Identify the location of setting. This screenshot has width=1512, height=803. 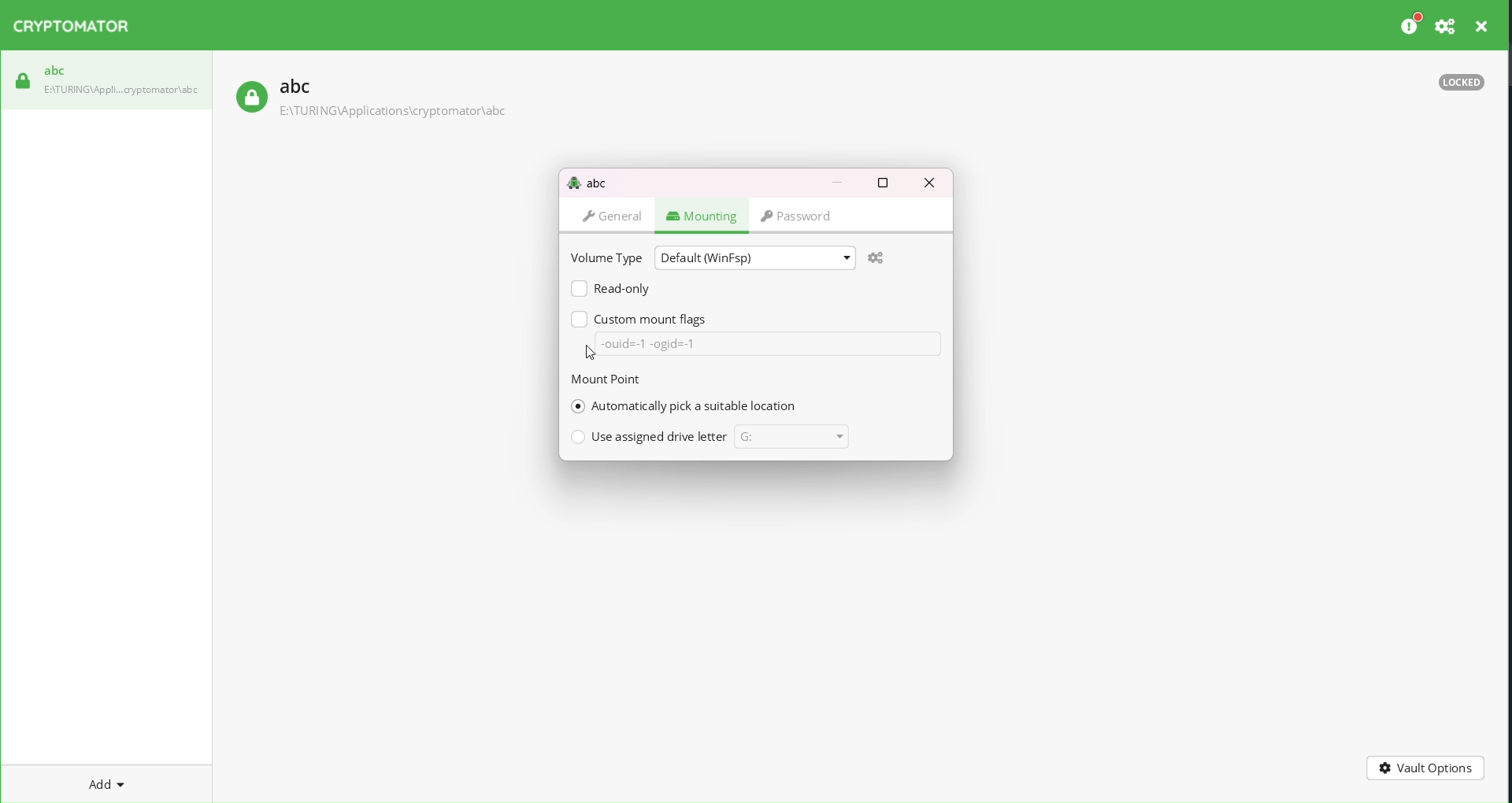
(1443, 26).